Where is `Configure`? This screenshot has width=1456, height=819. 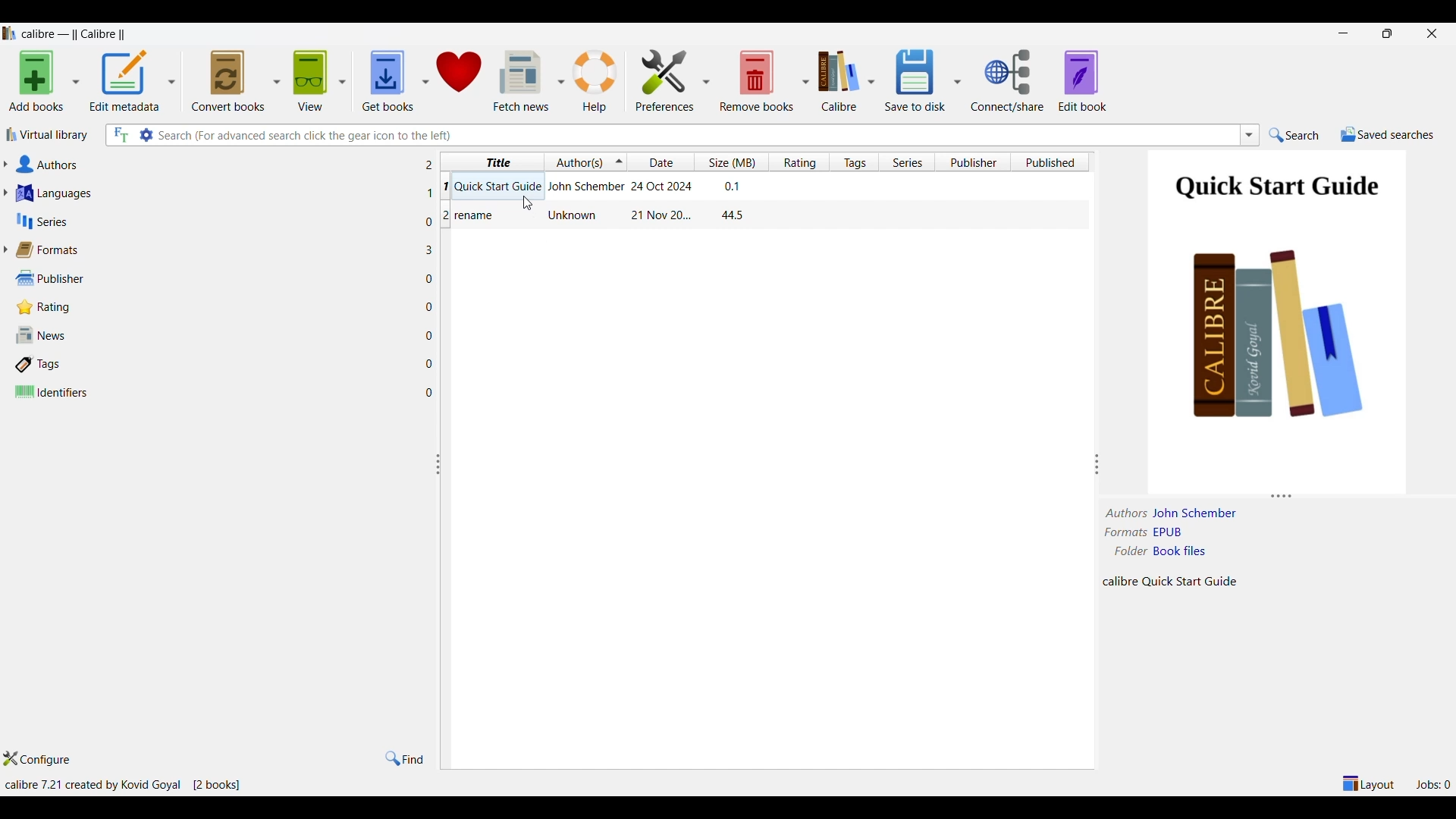
Configure is located at coordinates (36, 759).